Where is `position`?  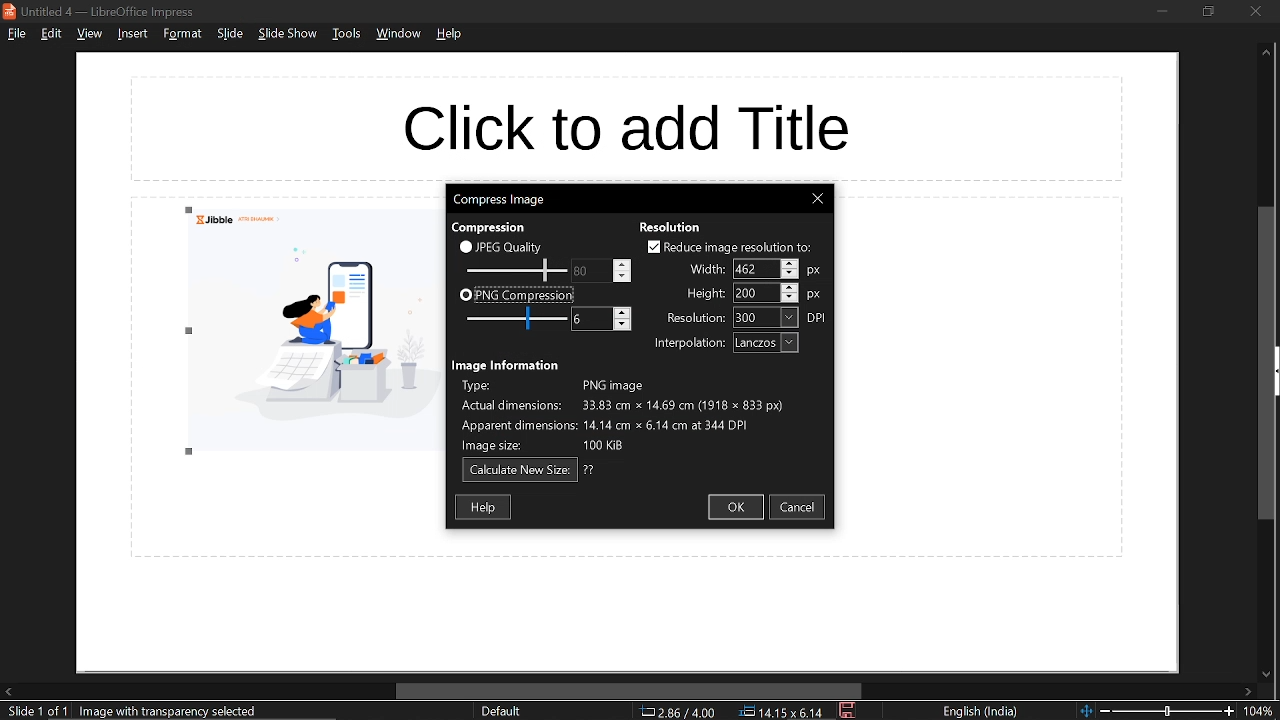
position is located at coordinates (781, 712).